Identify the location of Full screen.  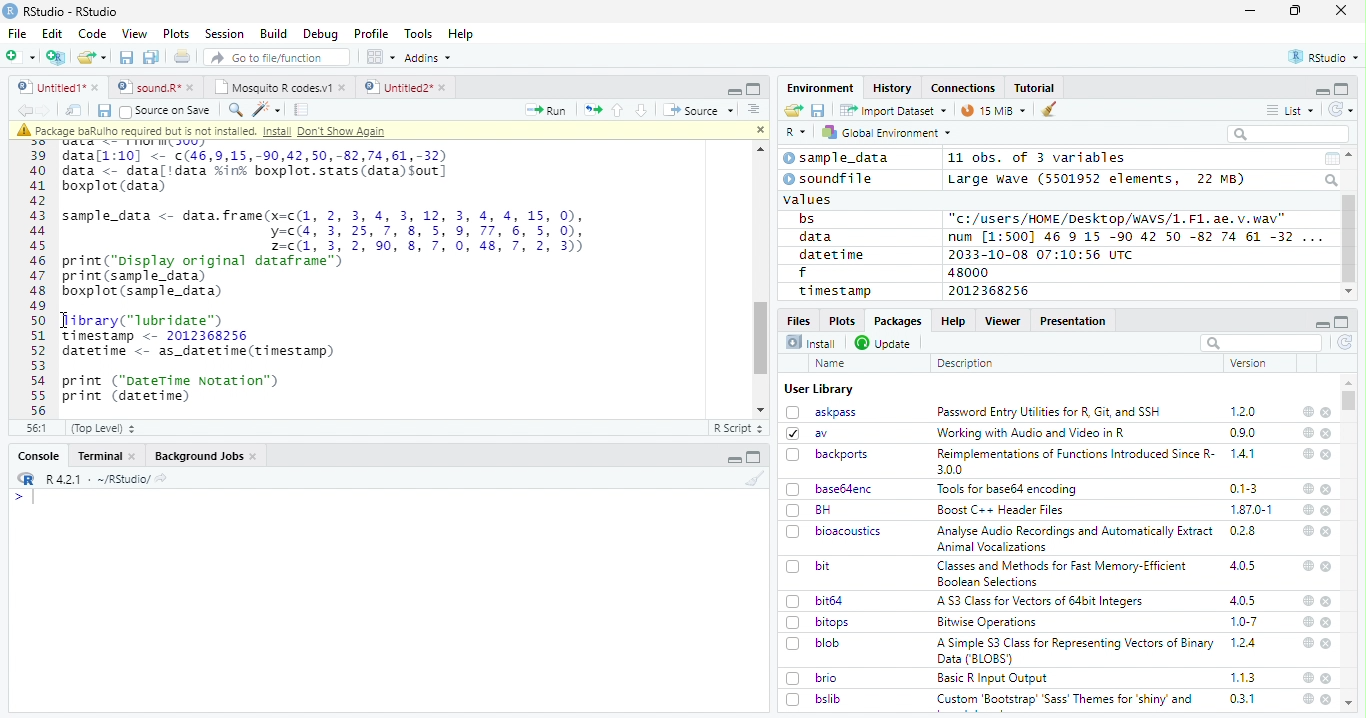
(754, 88).